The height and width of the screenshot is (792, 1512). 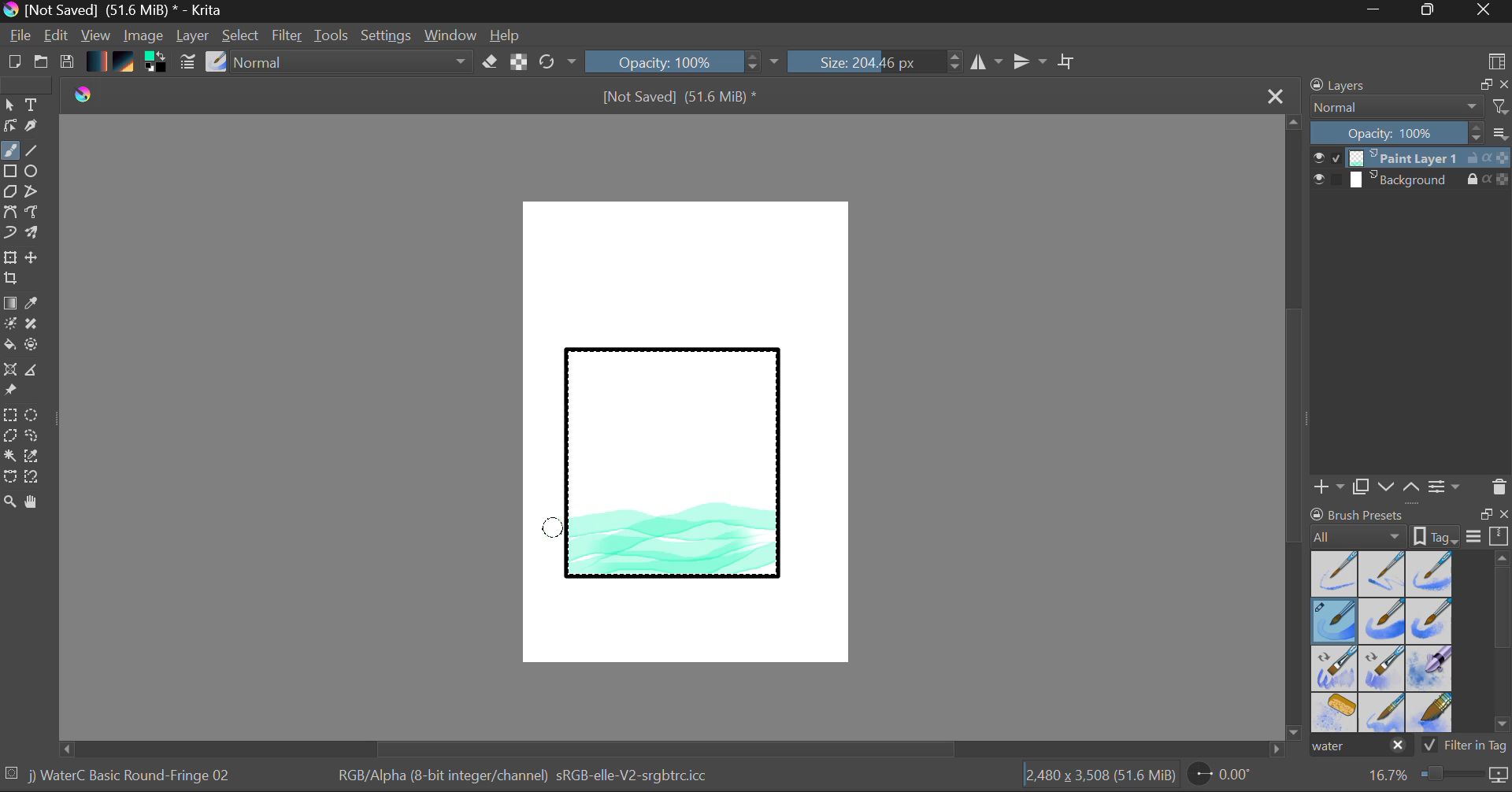 I want to click on Select, so click(x=9, y=105).